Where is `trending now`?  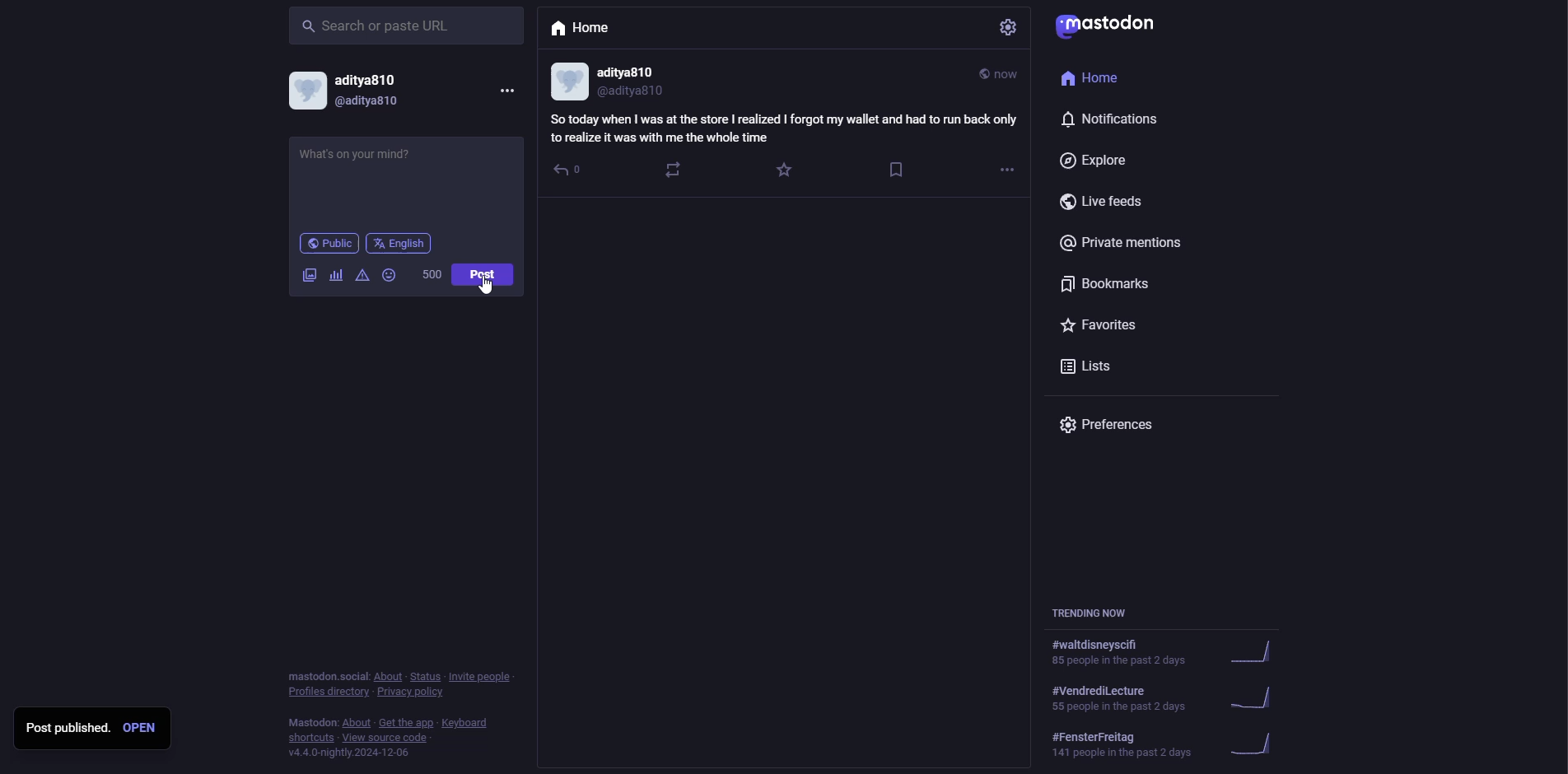
trending now is located at coordinates (1092, 613).